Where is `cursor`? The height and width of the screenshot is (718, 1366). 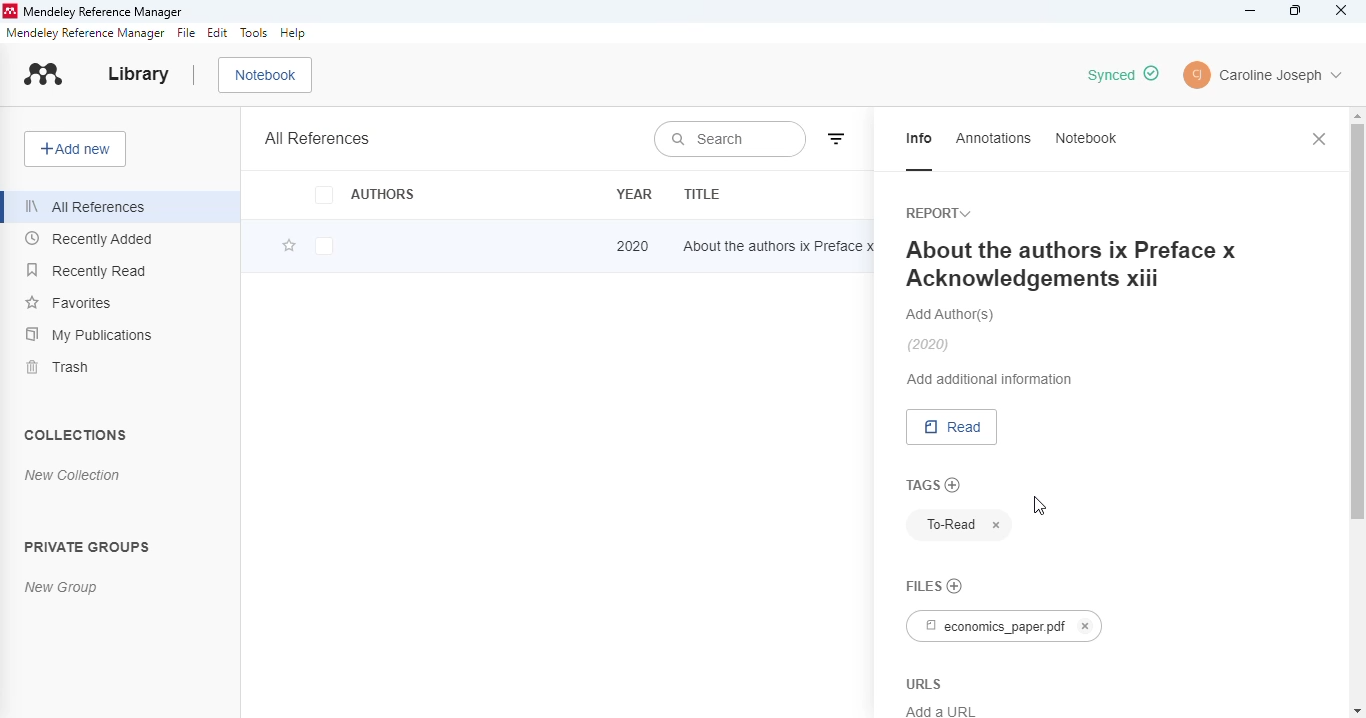 cursor is located at coordinates (1037, 506).